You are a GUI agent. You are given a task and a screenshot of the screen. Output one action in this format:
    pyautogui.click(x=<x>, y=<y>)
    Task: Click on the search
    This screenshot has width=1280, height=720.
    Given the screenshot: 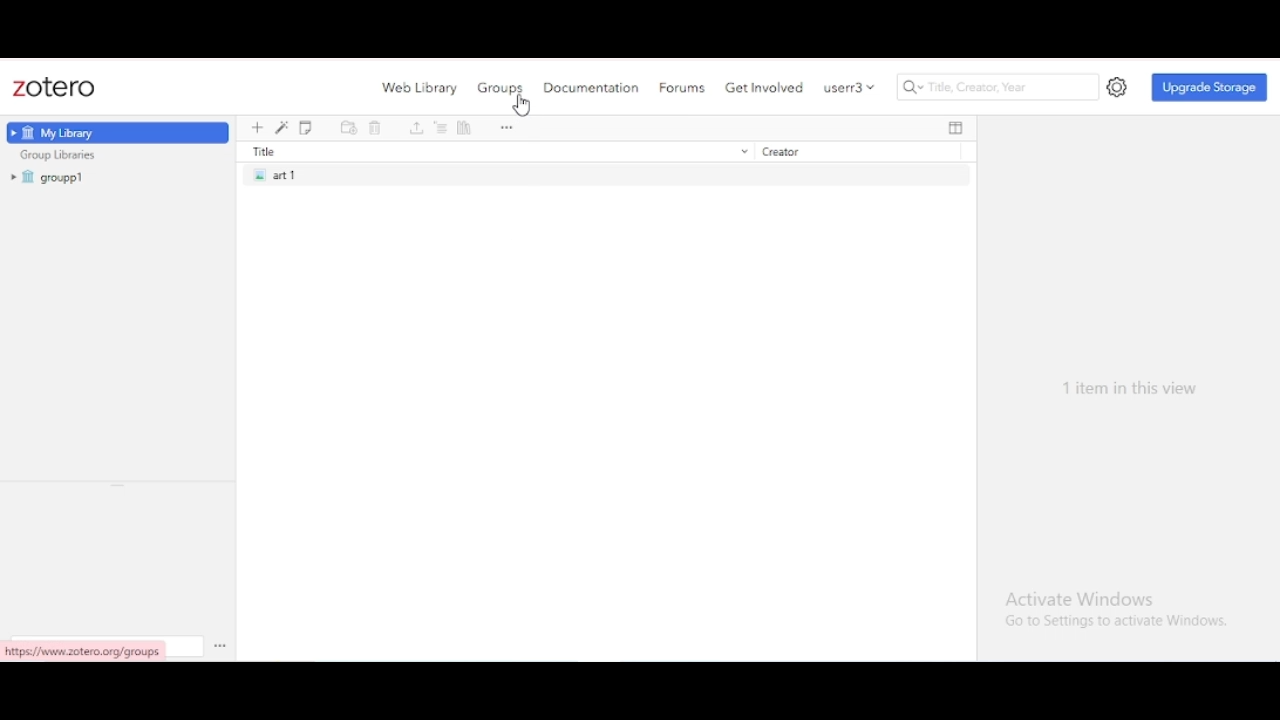 What is the action you would take?
    pyautogui.click(x=999, y=87)
    